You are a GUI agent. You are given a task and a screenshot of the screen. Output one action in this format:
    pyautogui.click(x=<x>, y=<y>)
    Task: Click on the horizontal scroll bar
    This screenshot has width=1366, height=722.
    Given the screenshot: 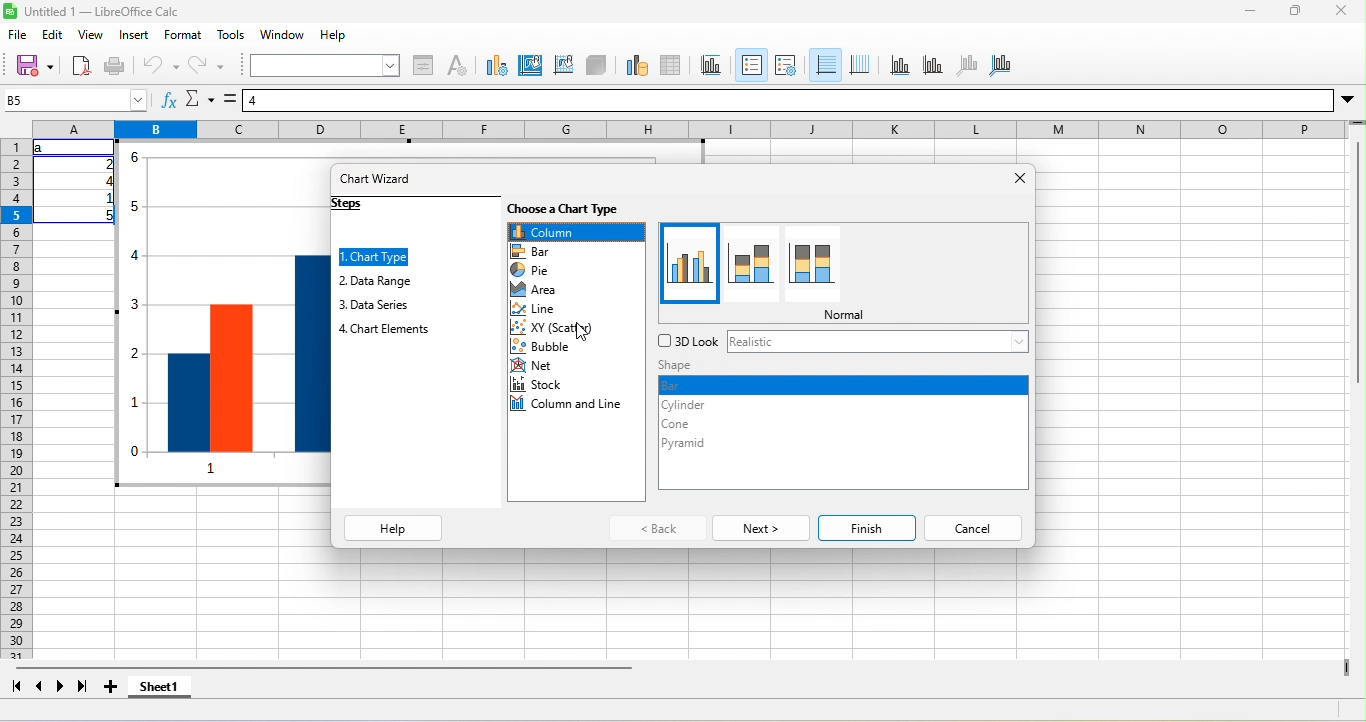 What is the action you would take?
    pyautogui.click(x=323, y=668)
    